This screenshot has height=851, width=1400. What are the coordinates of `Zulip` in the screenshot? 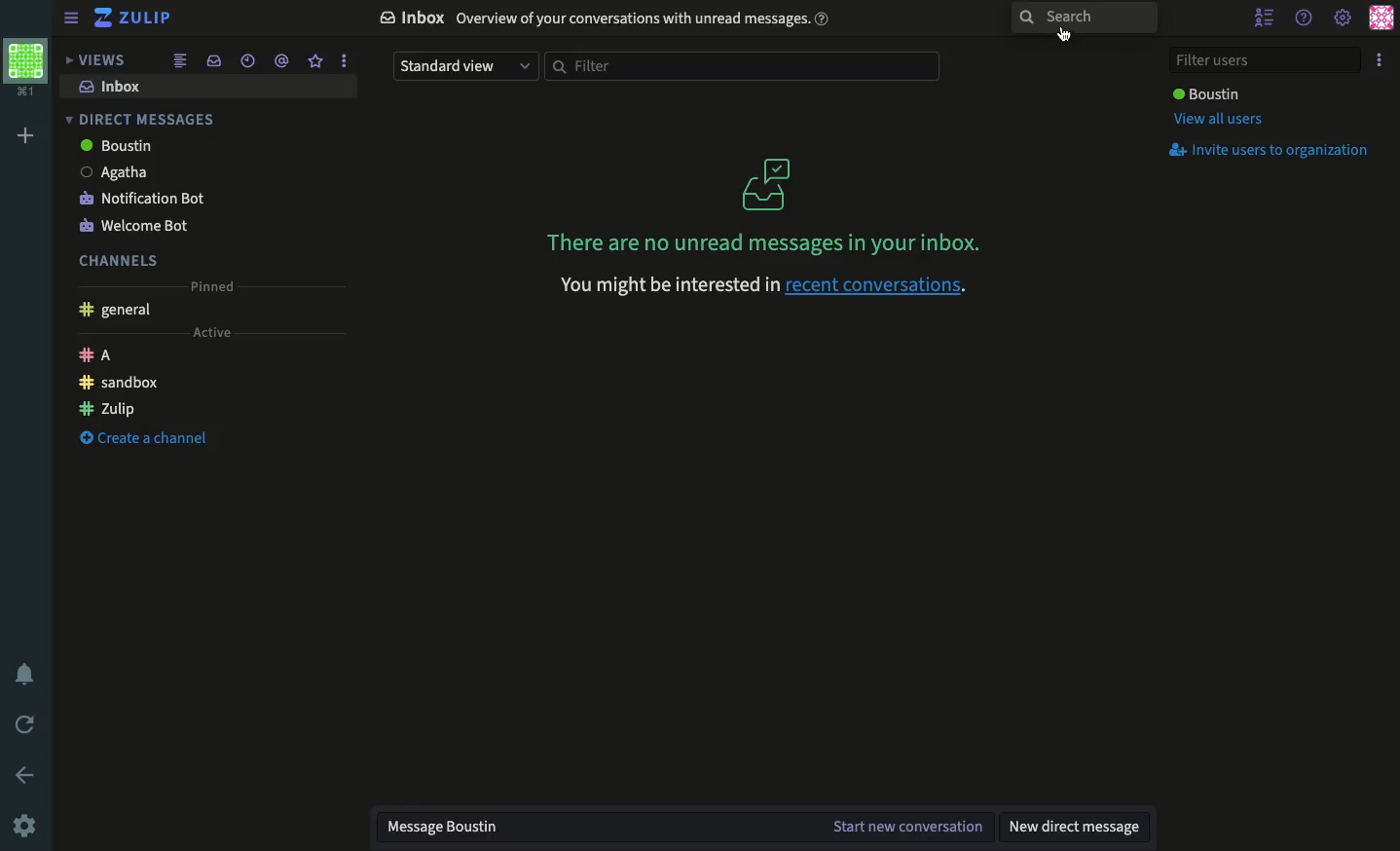 It's located at (136, 18).